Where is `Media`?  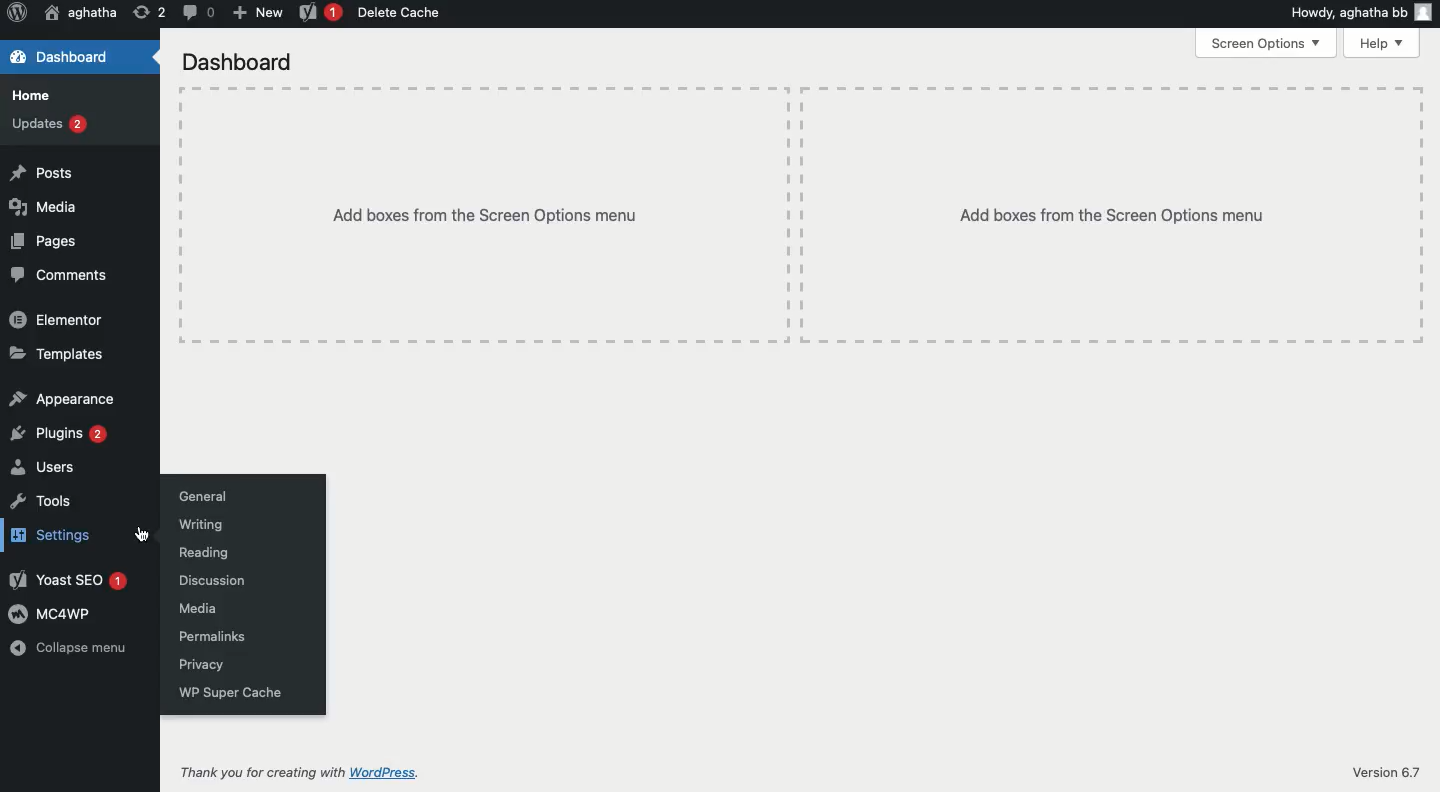 Media is located at coordinates (44, 208).